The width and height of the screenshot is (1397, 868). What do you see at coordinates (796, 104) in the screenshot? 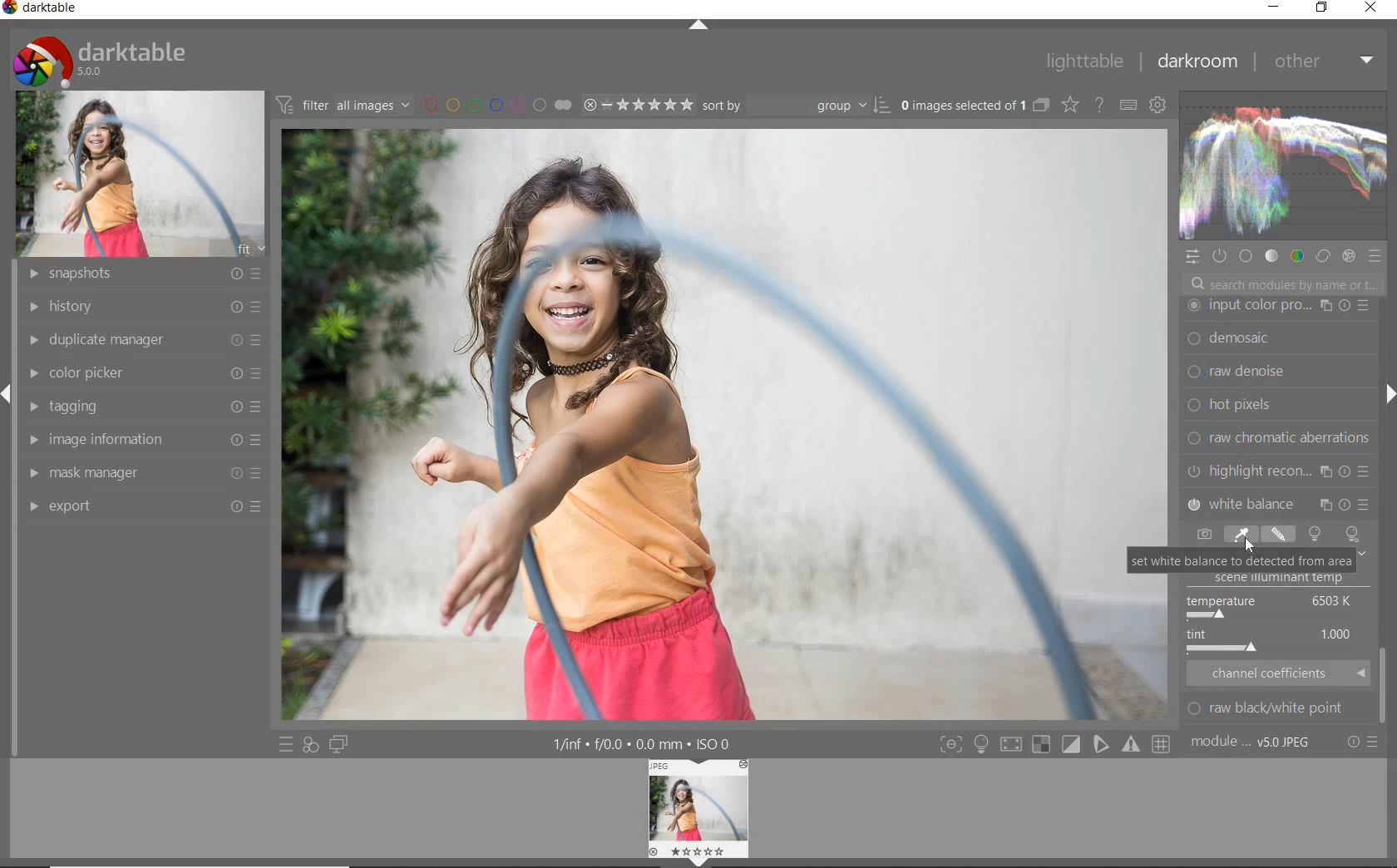
I see `sort` at bounding box center [796, 104].